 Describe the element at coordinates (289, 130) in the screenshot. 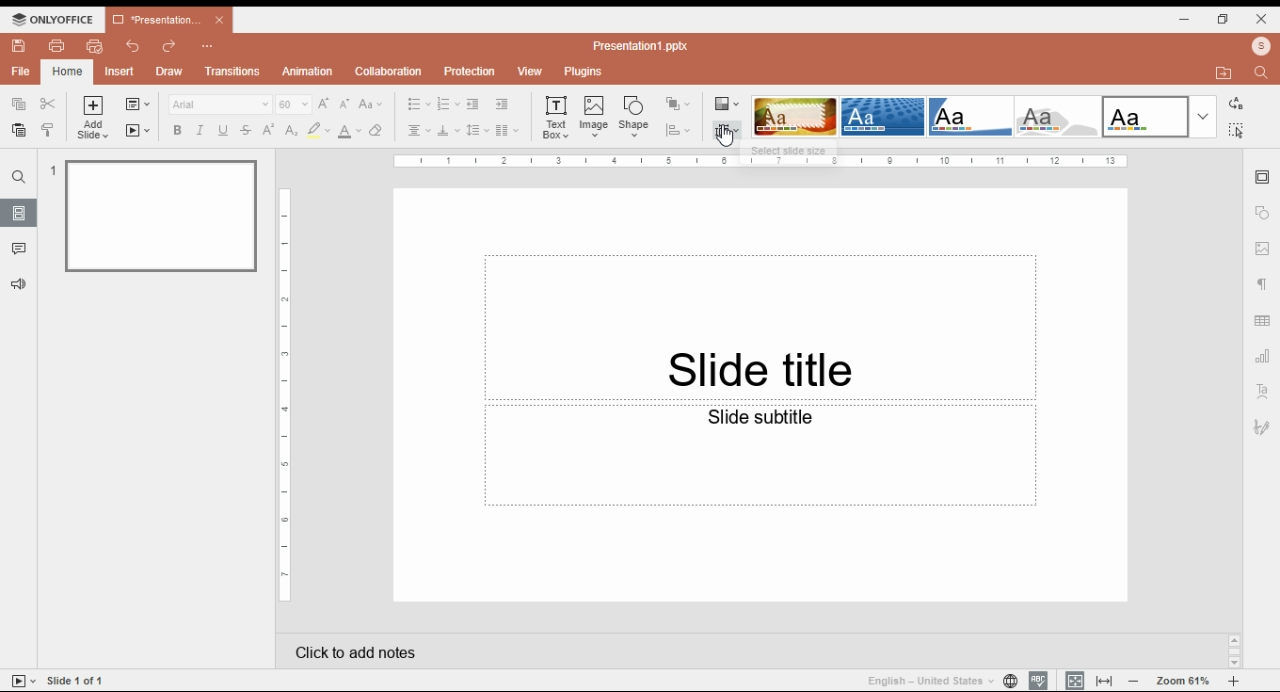

I see `subscript` at that location.